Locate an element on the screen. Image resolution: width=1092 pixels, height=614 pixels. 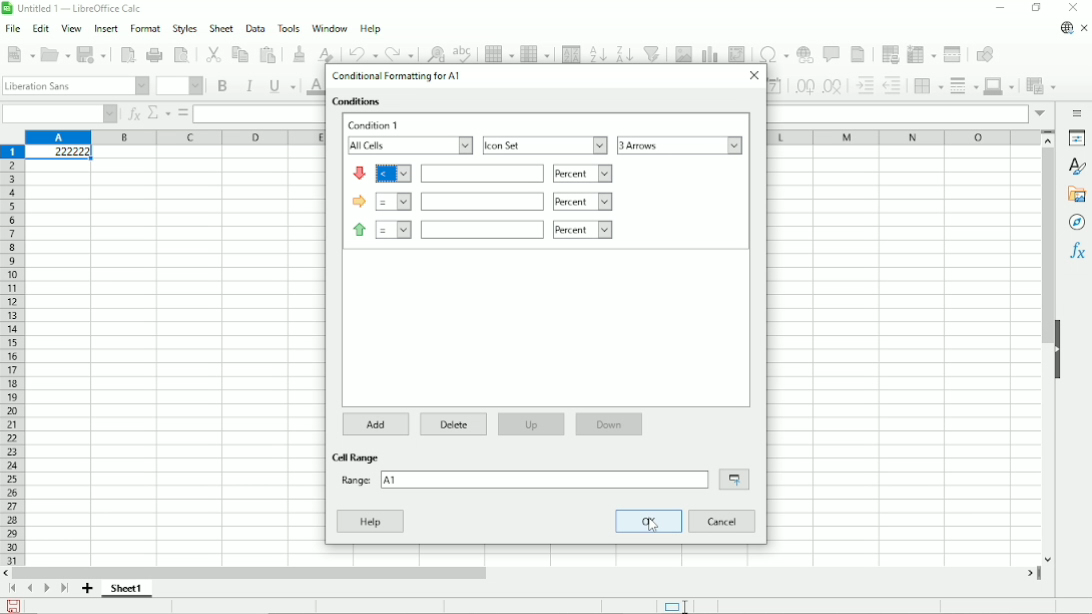
Find and replace is located at coordinates (436, 51).